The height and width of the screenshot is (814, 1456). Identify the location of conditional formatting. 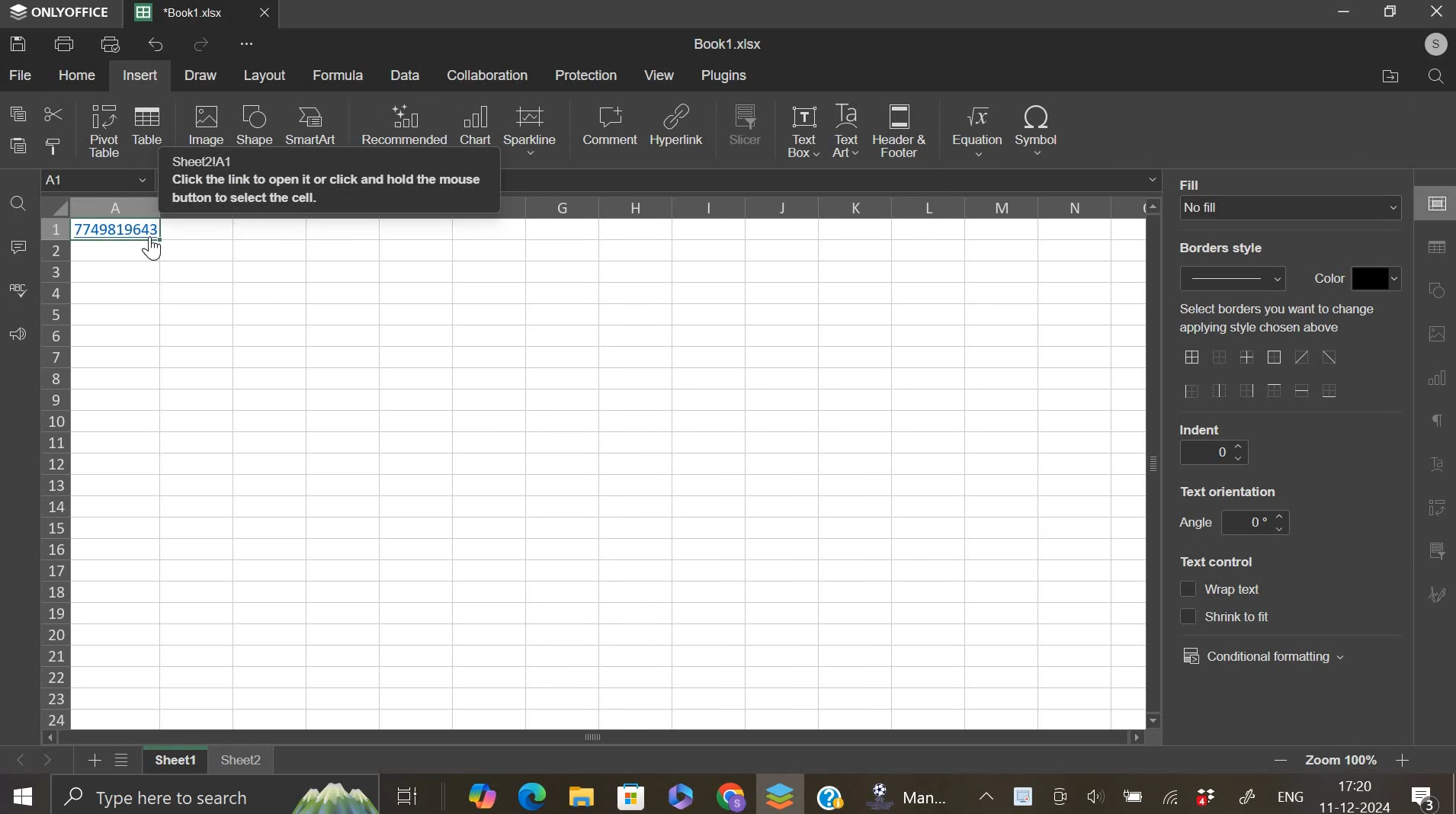
(1264, 657).